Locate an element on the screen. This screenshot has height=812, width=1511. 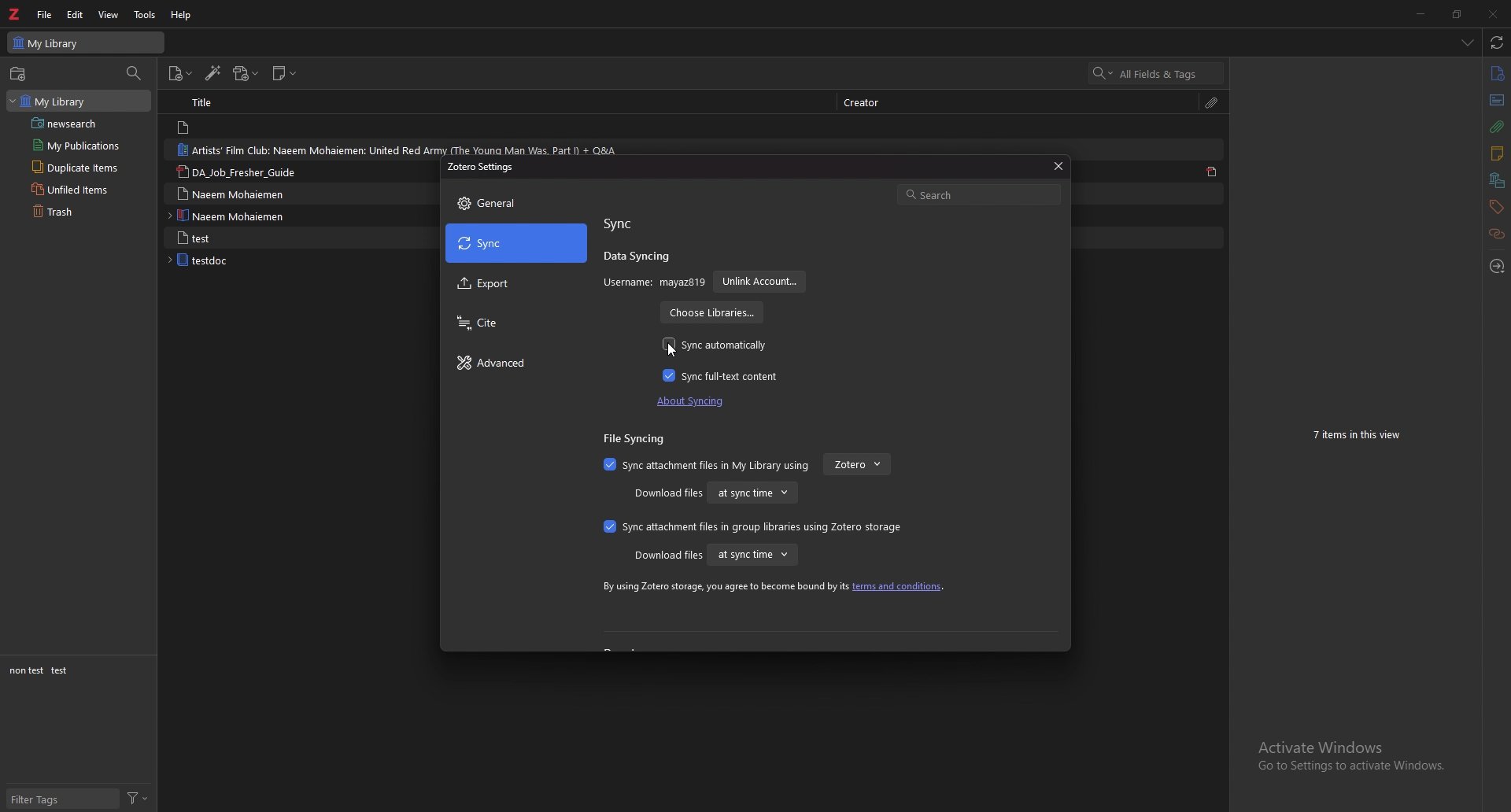
by using zotero storage, you agree to become bound by its  is located at coordinates (723, 587).